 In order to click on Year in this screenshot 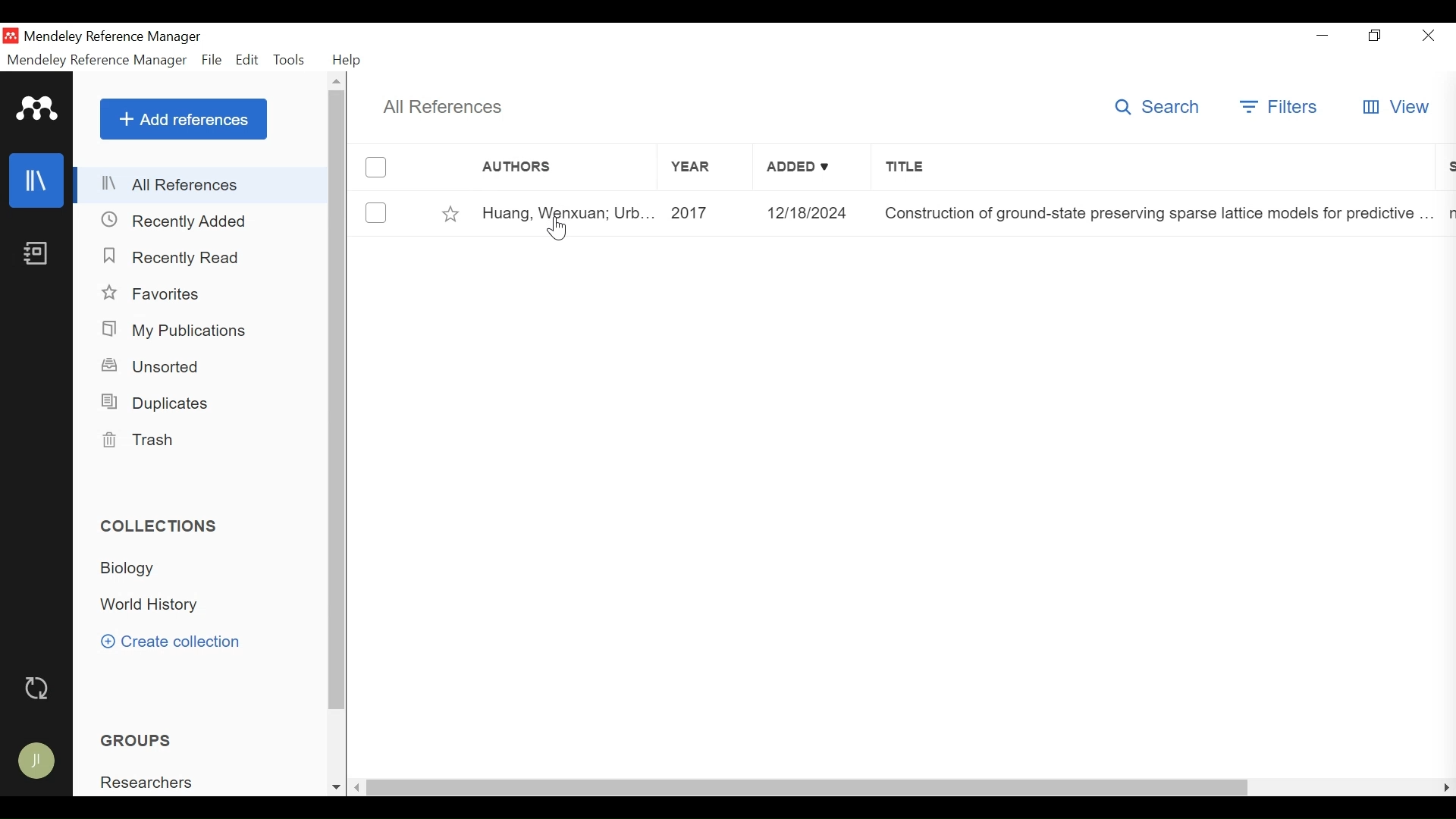, I will do `click(707, 214)`.